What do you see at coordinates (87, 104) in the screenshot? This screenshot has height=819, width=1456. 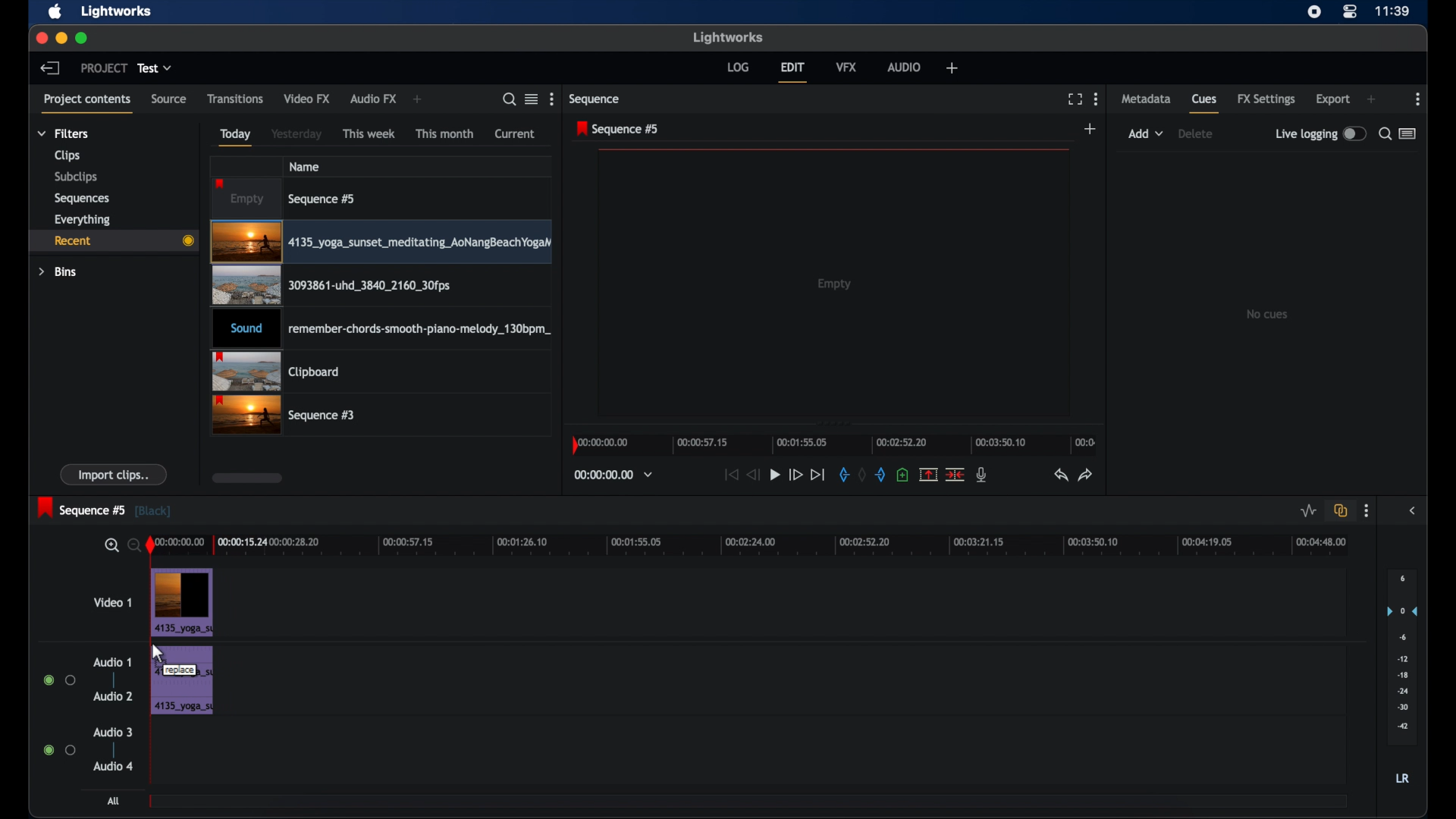 I see `project contents` at bounding box center [87, 104].